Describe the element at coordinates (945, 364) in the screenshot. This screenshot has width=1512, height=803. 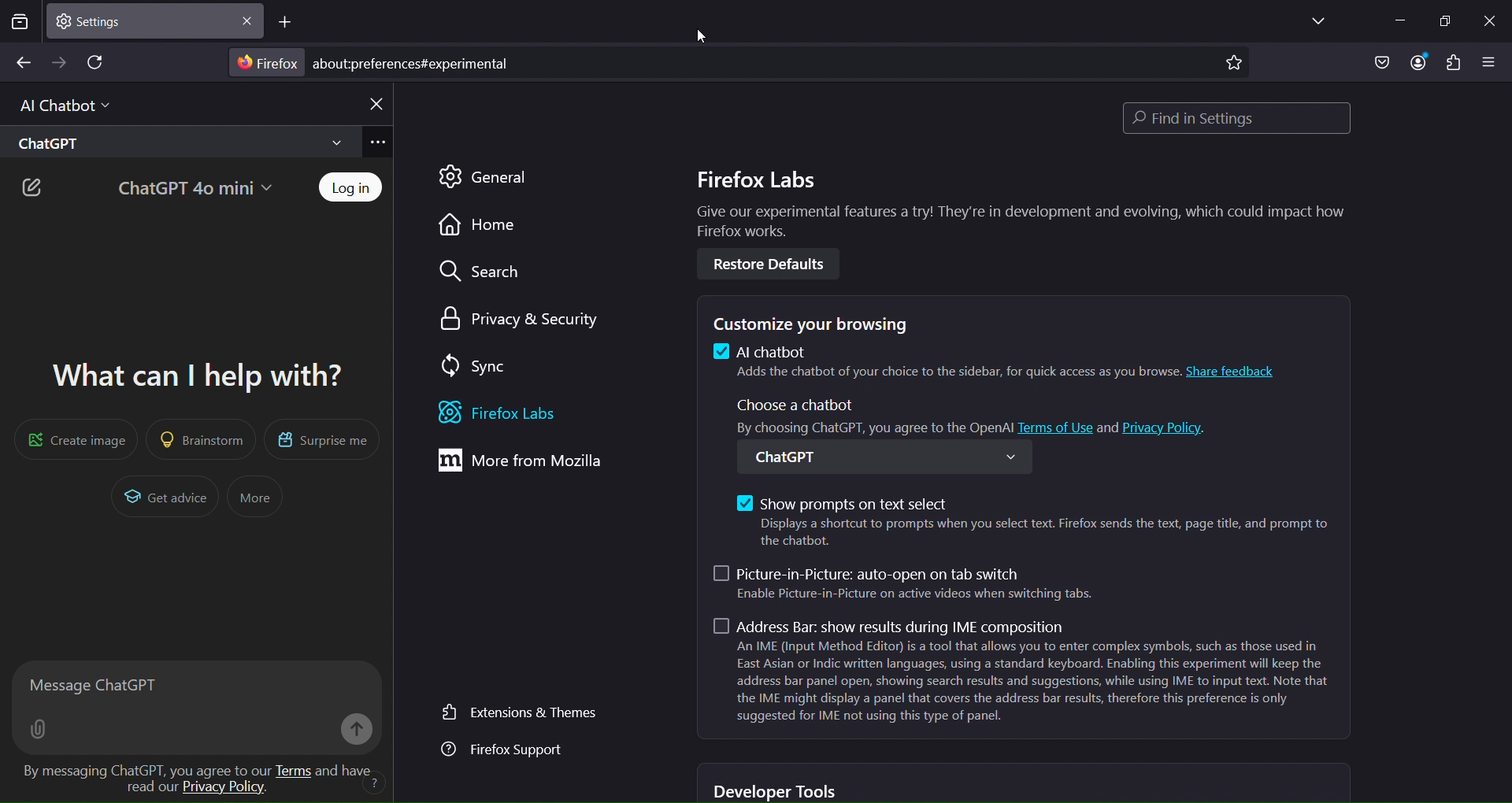
I see `£4 Al chatbot
Adds the chatbot of your choice to the sidebar, for quick access as you browse.` at that location.